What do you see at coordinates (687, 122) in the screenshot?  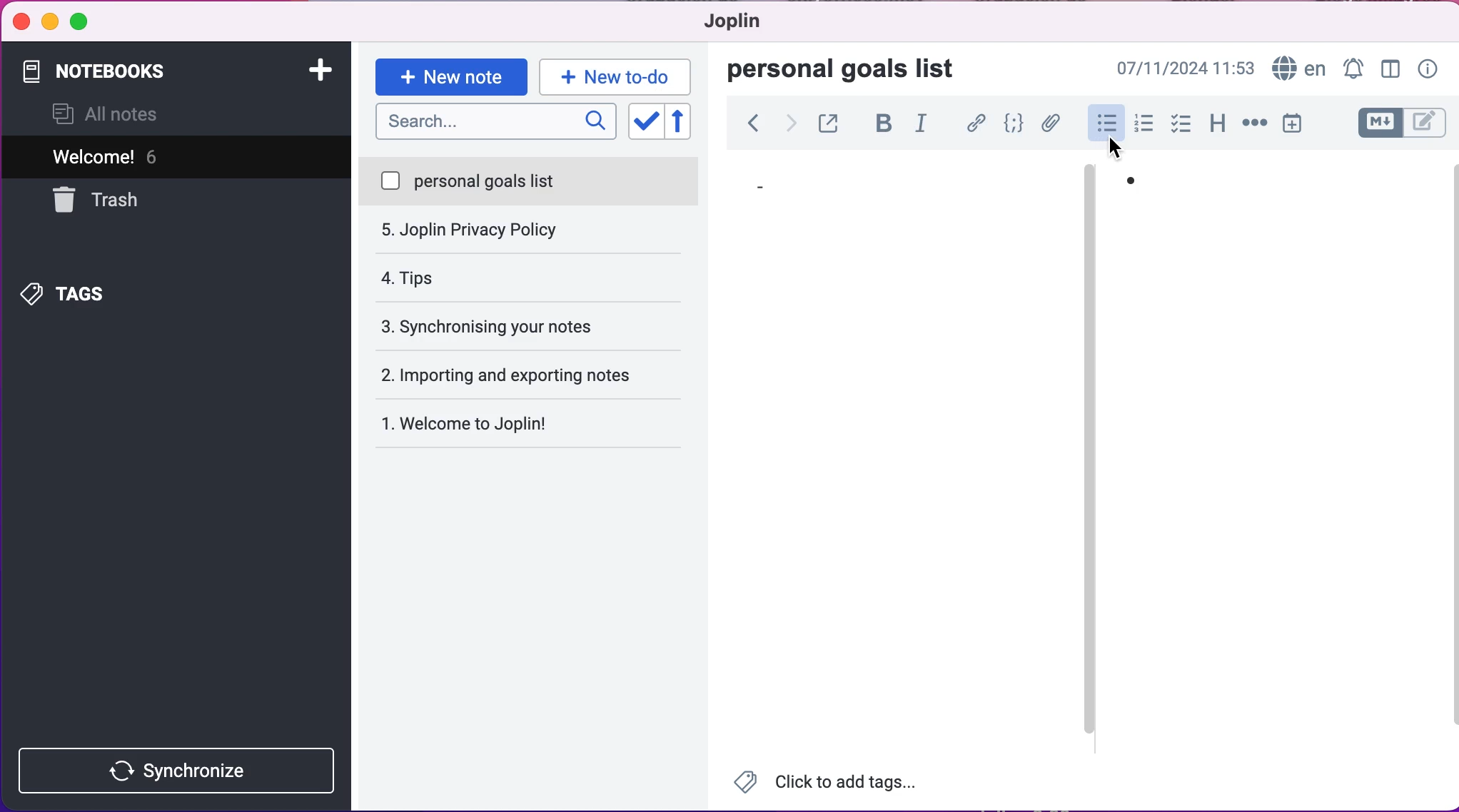 I see `reverse sort order` at bounding box center [687, 122].